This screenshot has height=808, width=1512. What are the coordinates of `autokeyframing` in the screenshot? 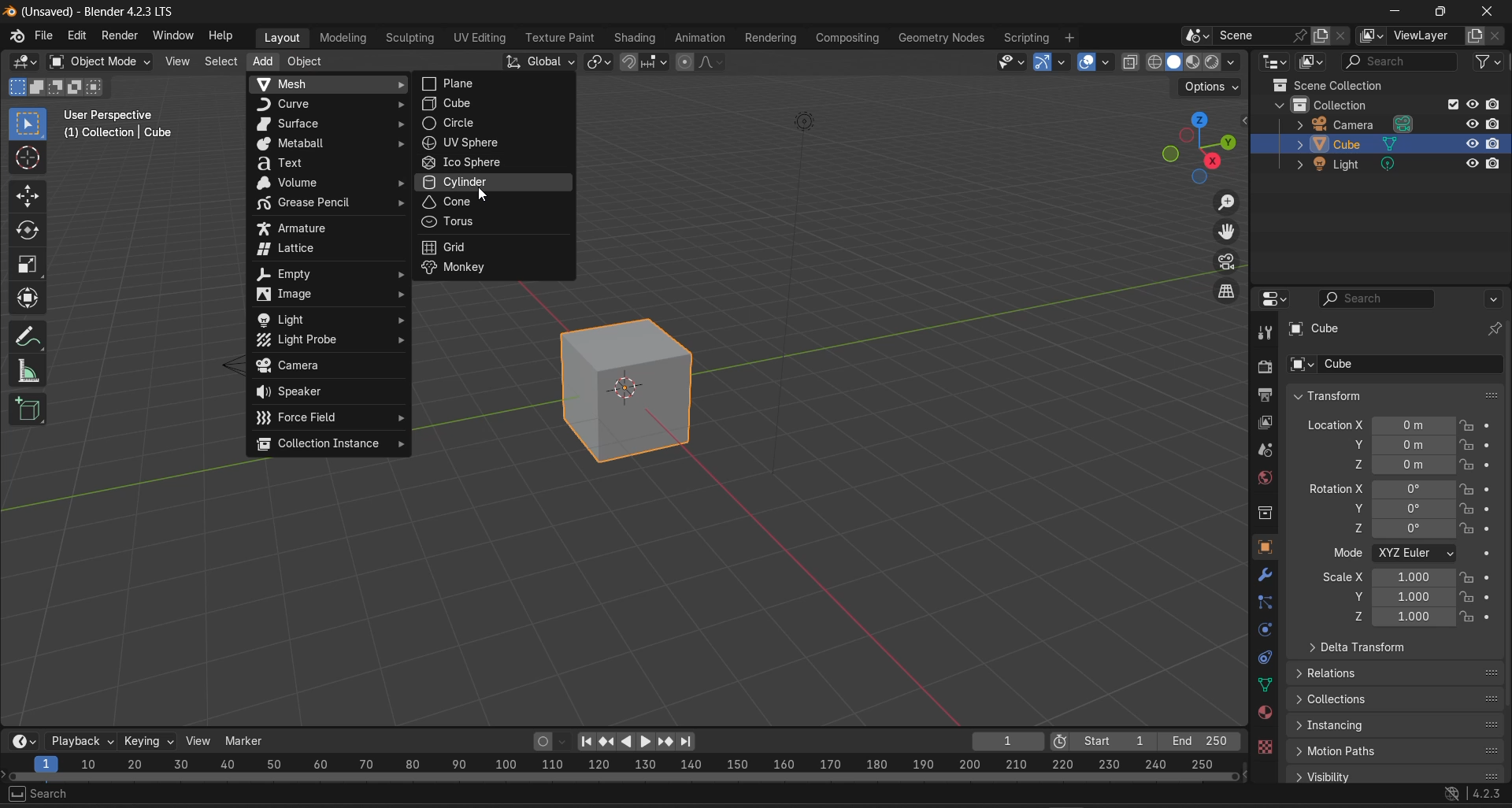 It's located at (565, 742).